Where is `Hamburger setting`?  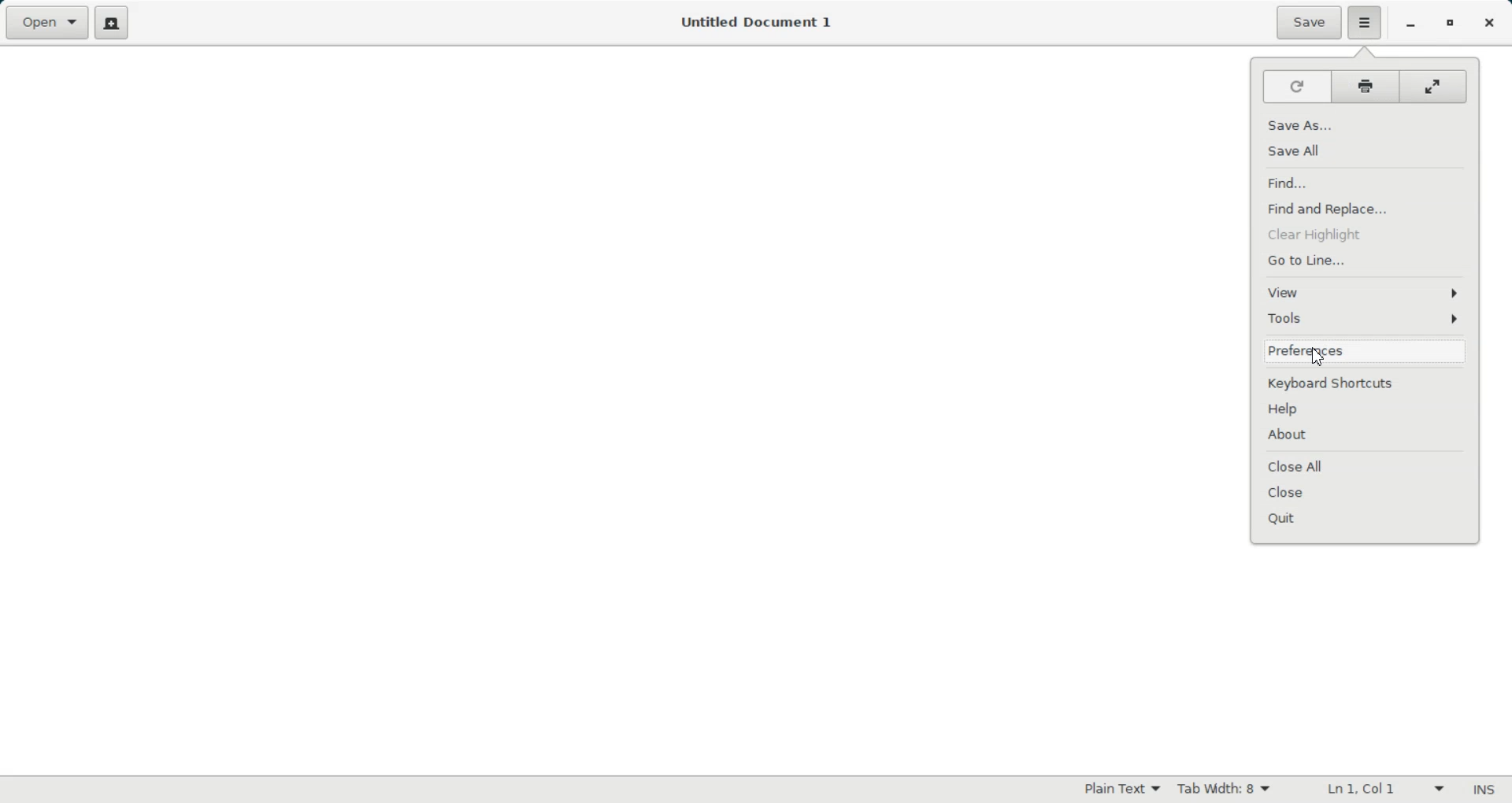
Hamburger setting is located at coordinates (1365, 23).